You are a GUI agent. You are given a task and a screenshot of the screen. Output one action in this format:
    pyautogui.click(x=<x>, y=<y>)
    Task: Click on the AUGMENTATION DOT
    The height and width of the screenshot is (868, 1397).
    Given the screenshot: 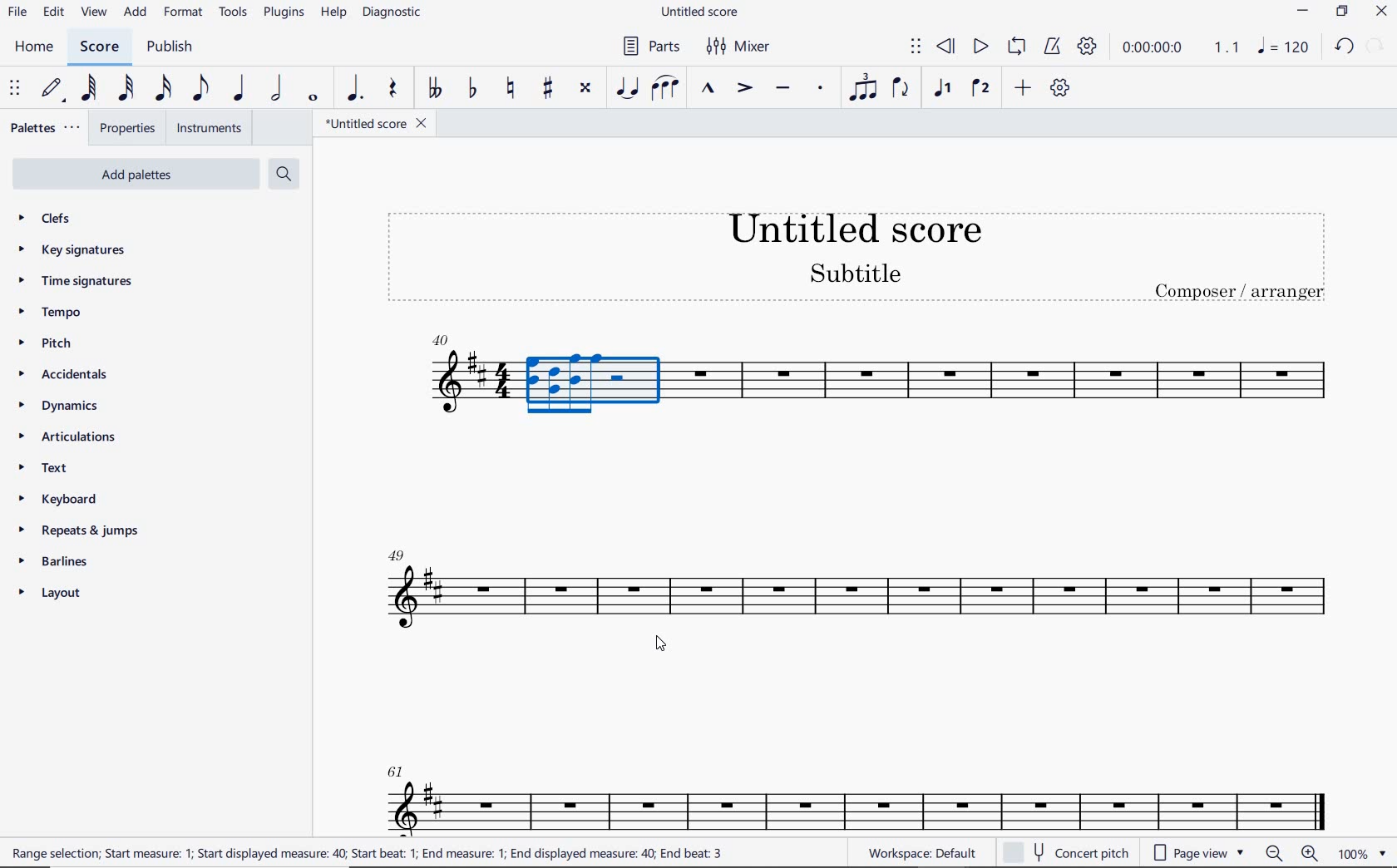 What is the action you would take?
    pyautogui.click(x=357, y=89)
    